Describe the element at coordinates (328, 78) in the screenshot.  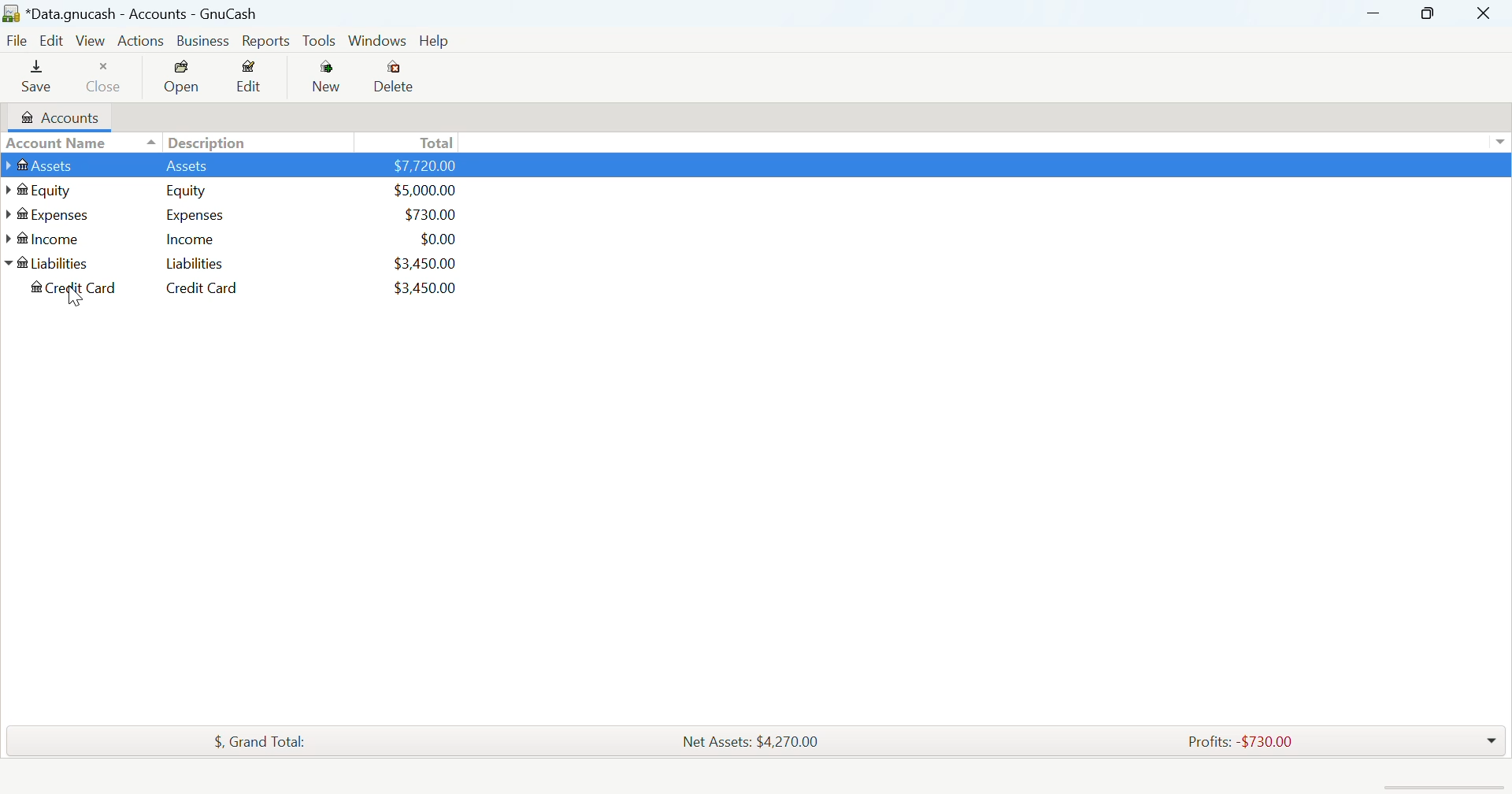
I see `New` at that location.